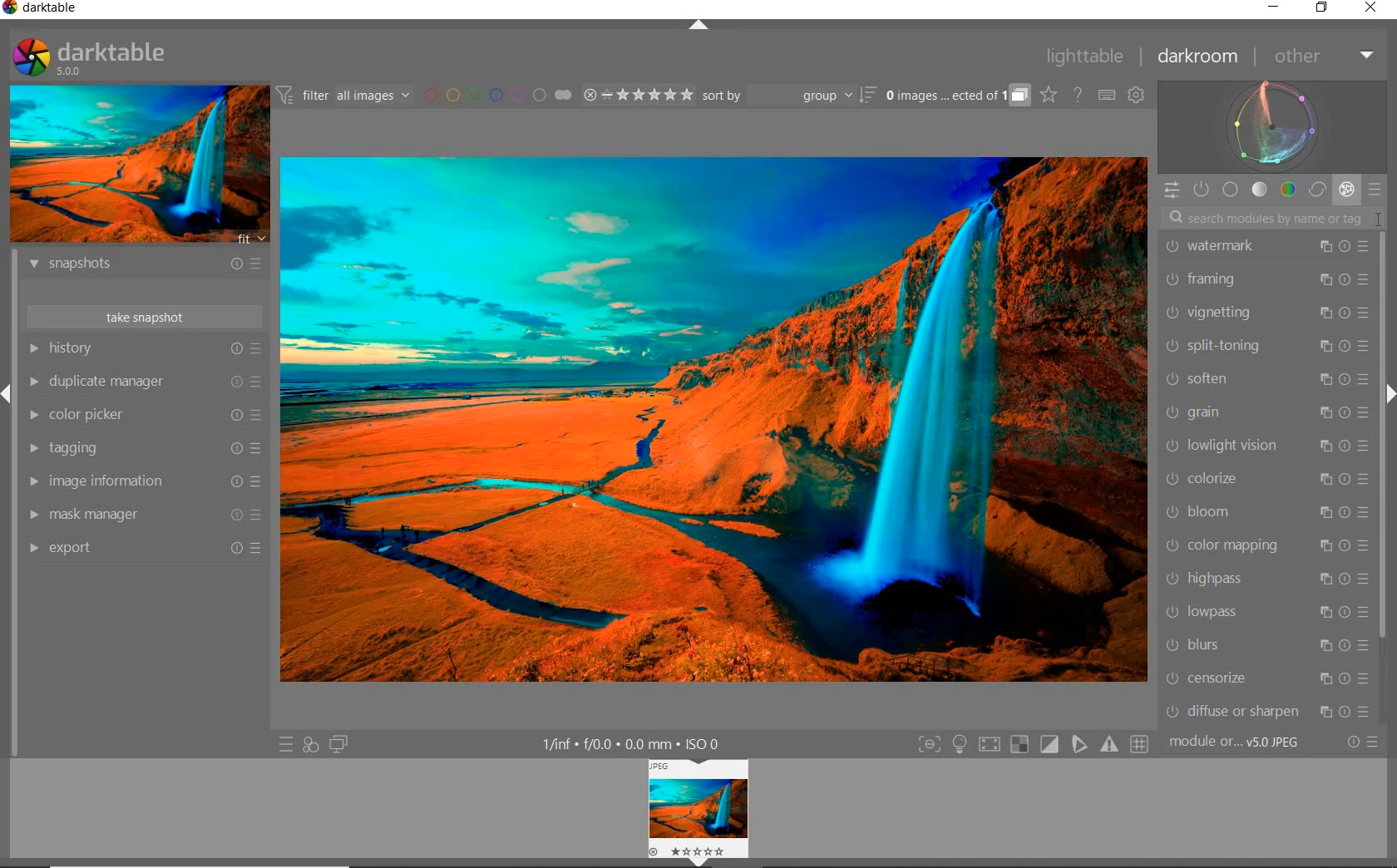 This screenshot has height=868, width=1397. Describe the element at coordinates (1362, 743) in the screenshot. I see `RESET OR PRESETS & PREFERENCES` at that location.